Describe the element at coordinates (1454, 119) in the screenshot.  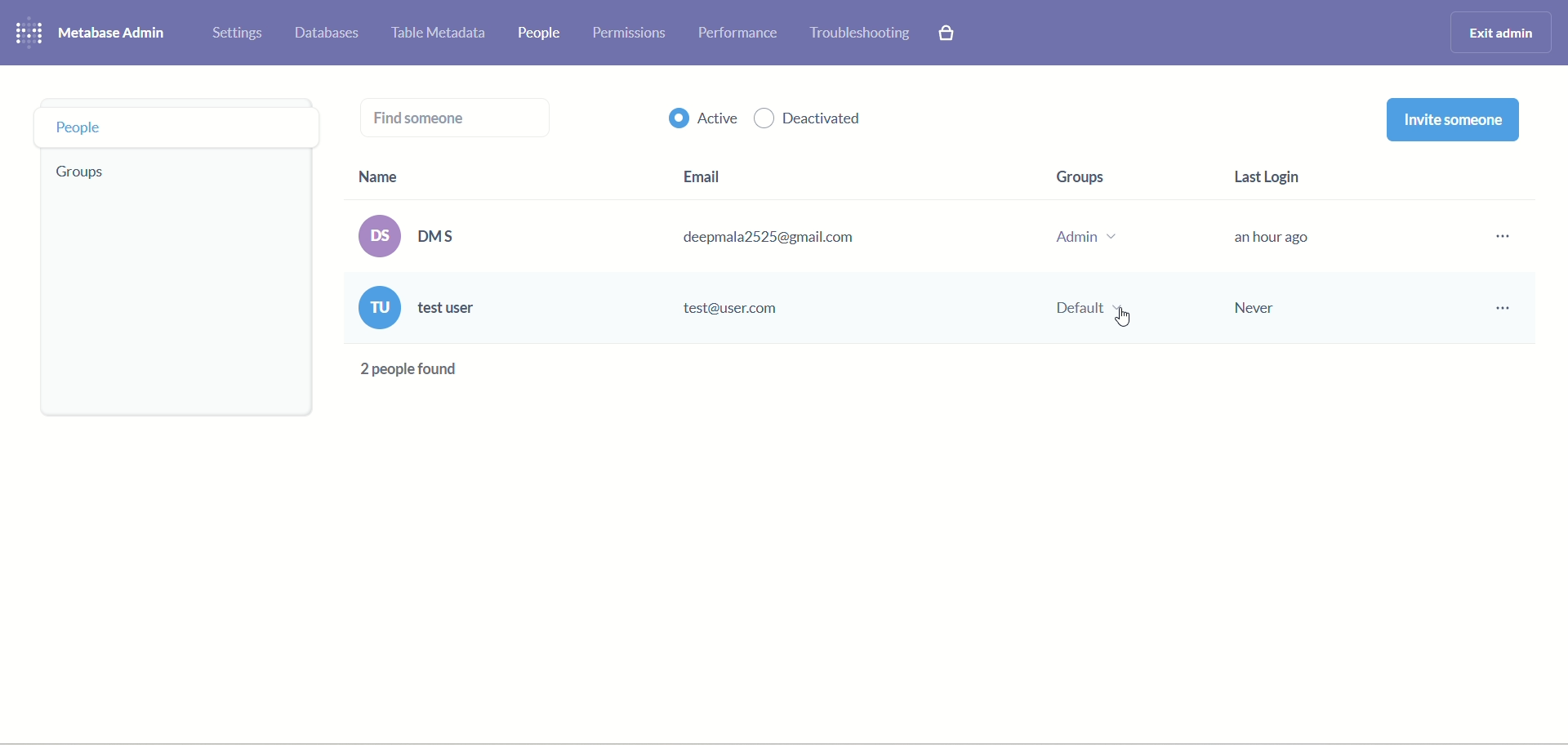
I see `invite someone` at that location.